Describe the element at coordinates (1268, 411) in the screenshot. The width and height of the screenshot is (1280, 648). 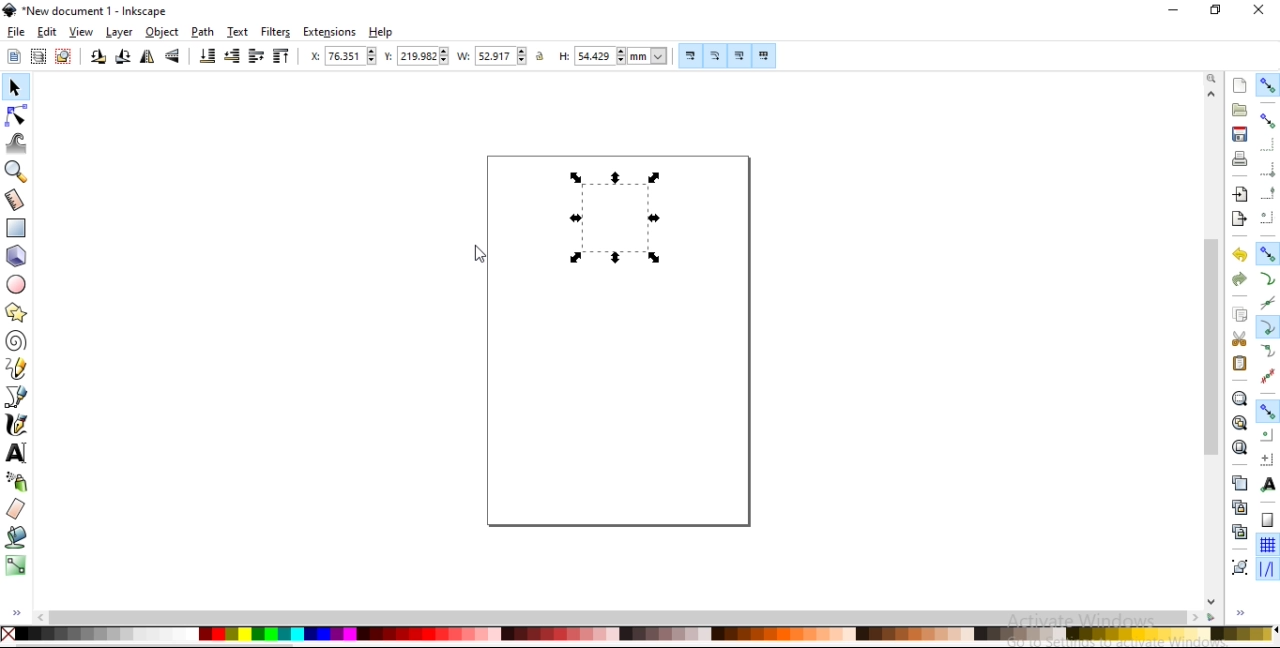
I see `snap other points` at that location.